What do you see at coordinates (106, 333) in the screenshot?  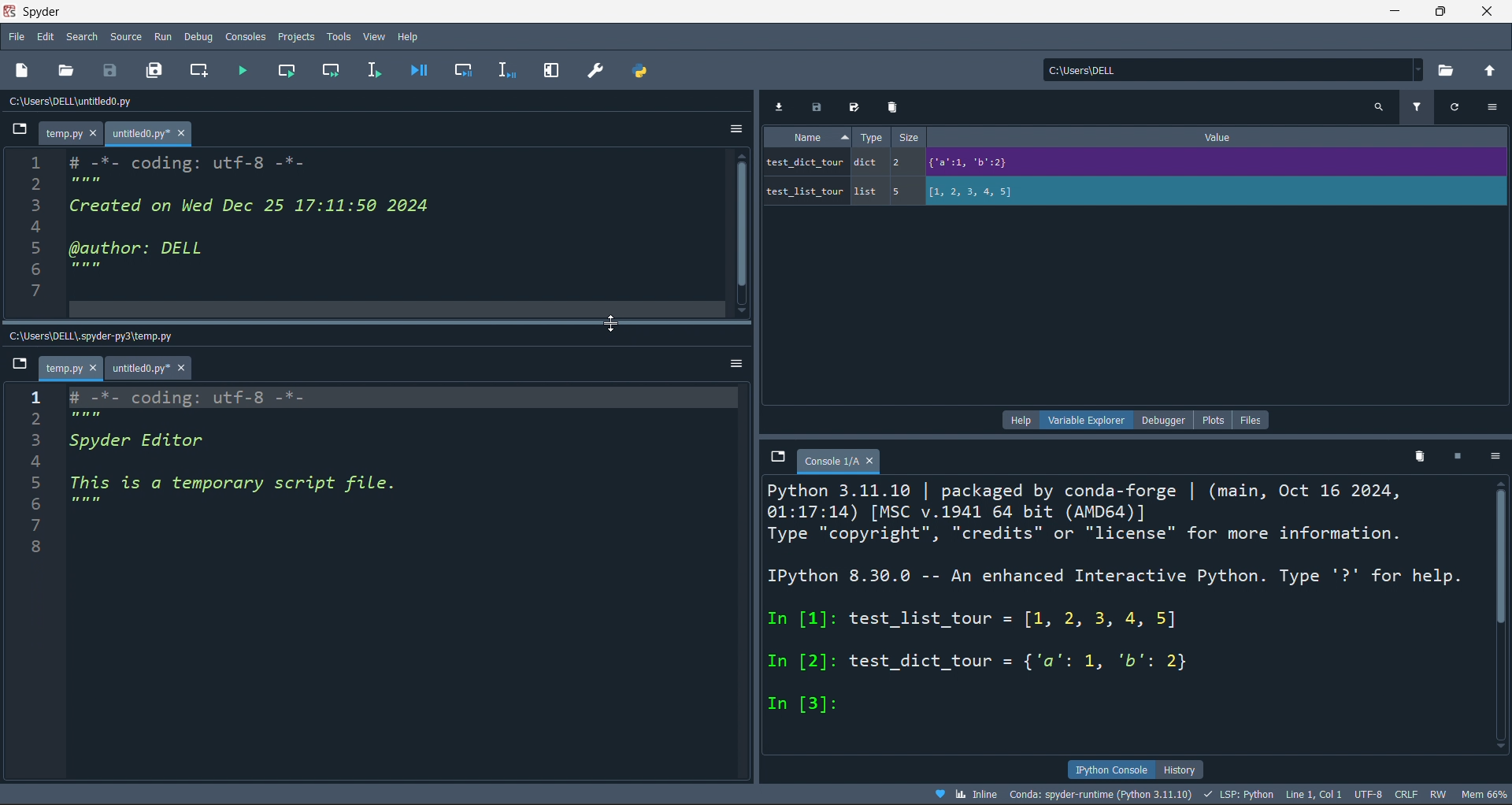 I see `C:\Users\DELL\.spyder-py3\temp.py` at bounding box center [106, 333].